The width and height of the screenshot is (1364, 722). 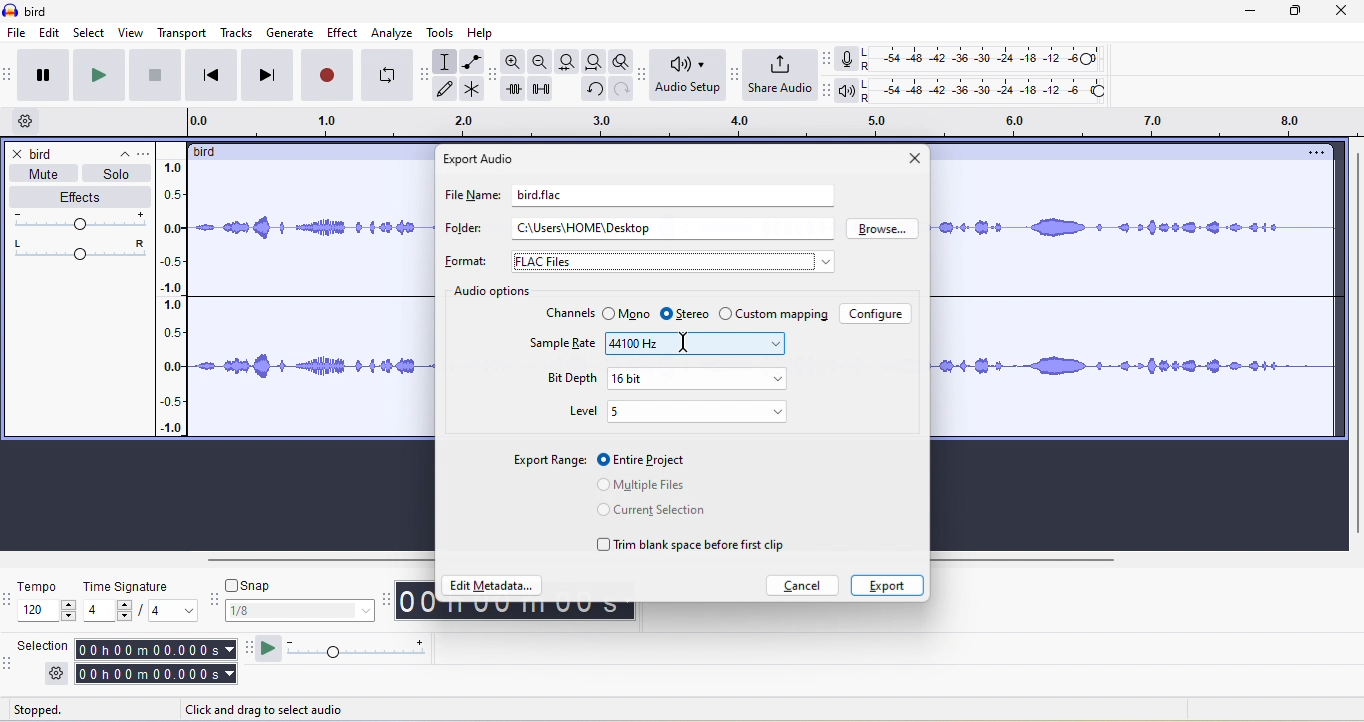 What do you see at coordinates (9, 75) in the screenshot?
I see `audacity transport toolbar` at bounding box center [9, 75].